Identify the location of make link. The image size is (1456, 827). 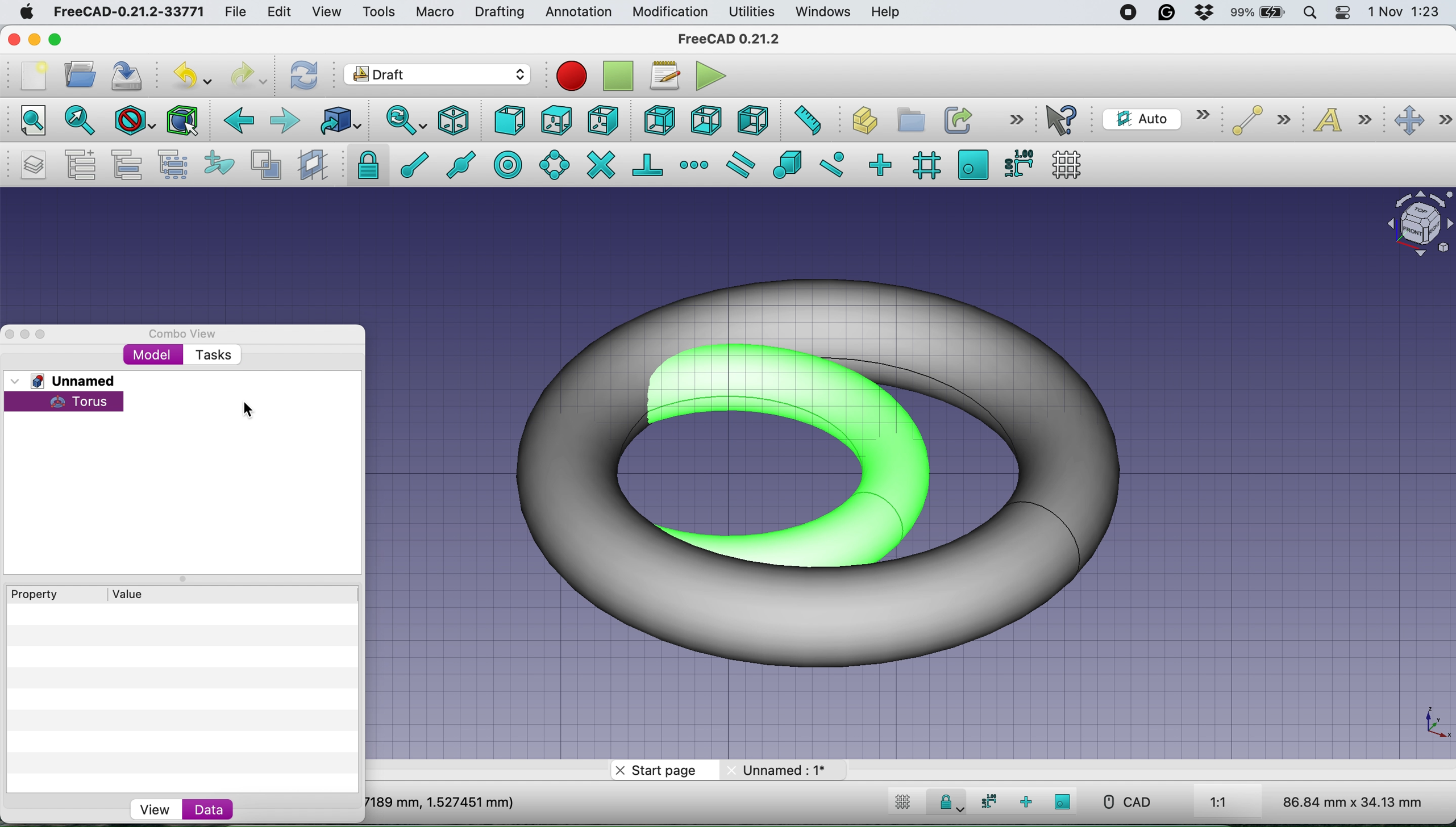
(956, 119).